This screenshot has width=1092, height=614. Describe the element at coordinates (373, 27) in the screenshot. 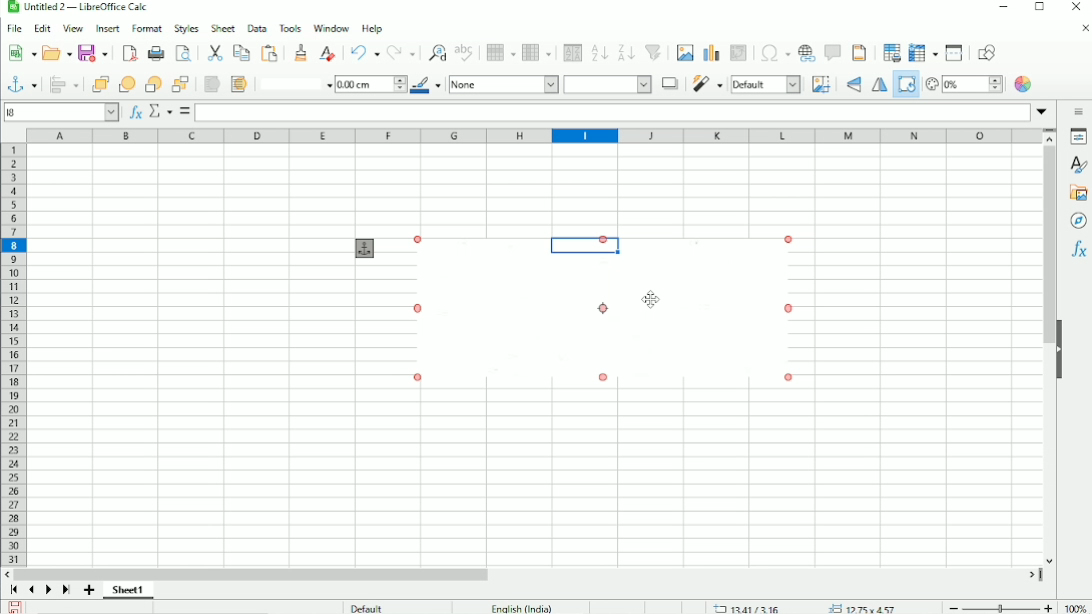

I see `Help` at that location.